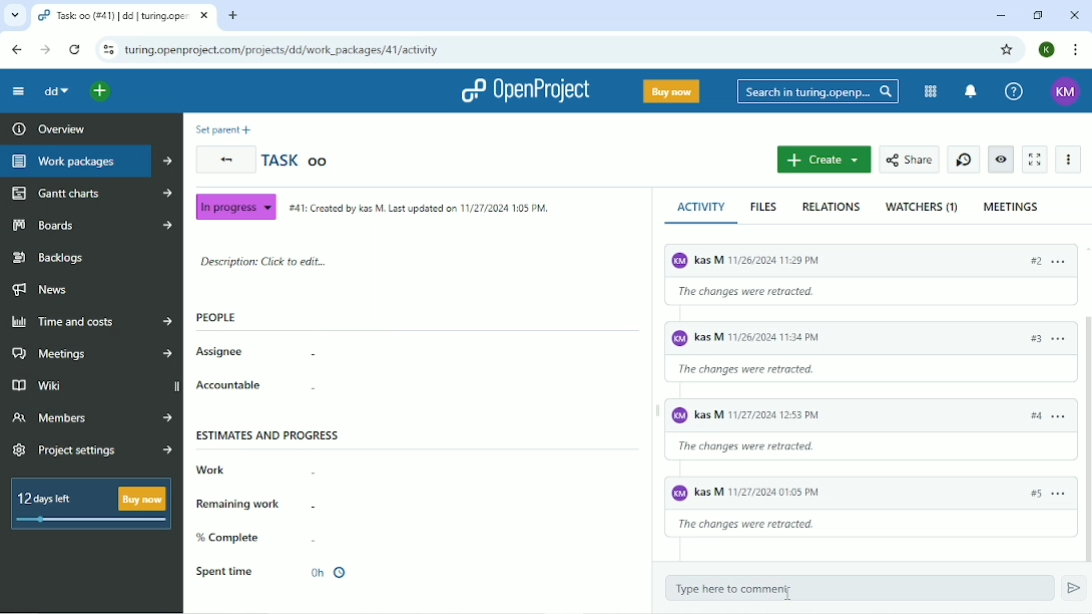 This screenshot has height=614, width=1092. Describe the element at coordinates (223, 130) in the screenshot. I see `Set parent` at that location.